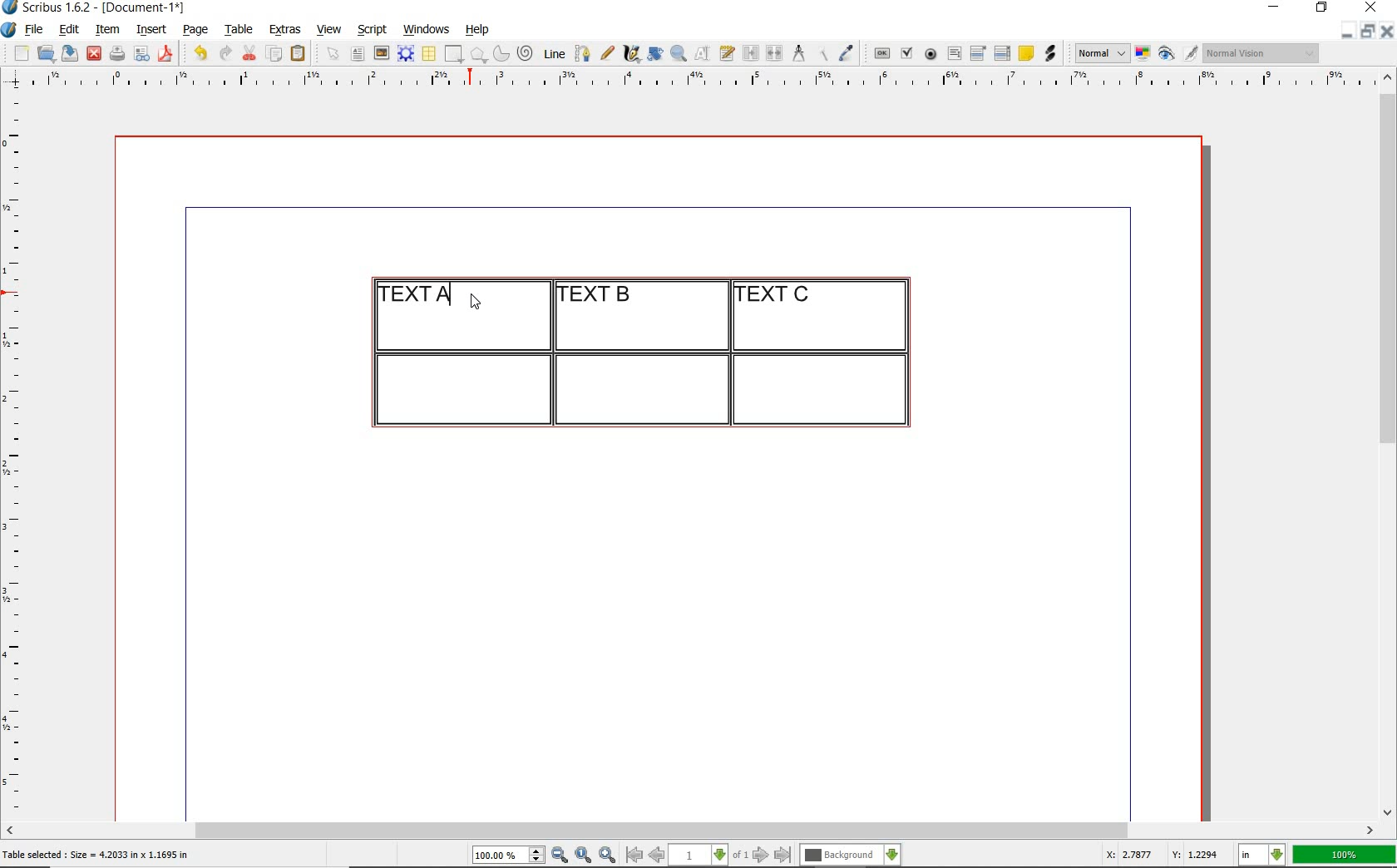 The width and height of the screenshot is (1397, 868). What do you see at coordinates (1262, 856) in the screenshot?
I see `select the current unit` at bounding box center [1262, 856].